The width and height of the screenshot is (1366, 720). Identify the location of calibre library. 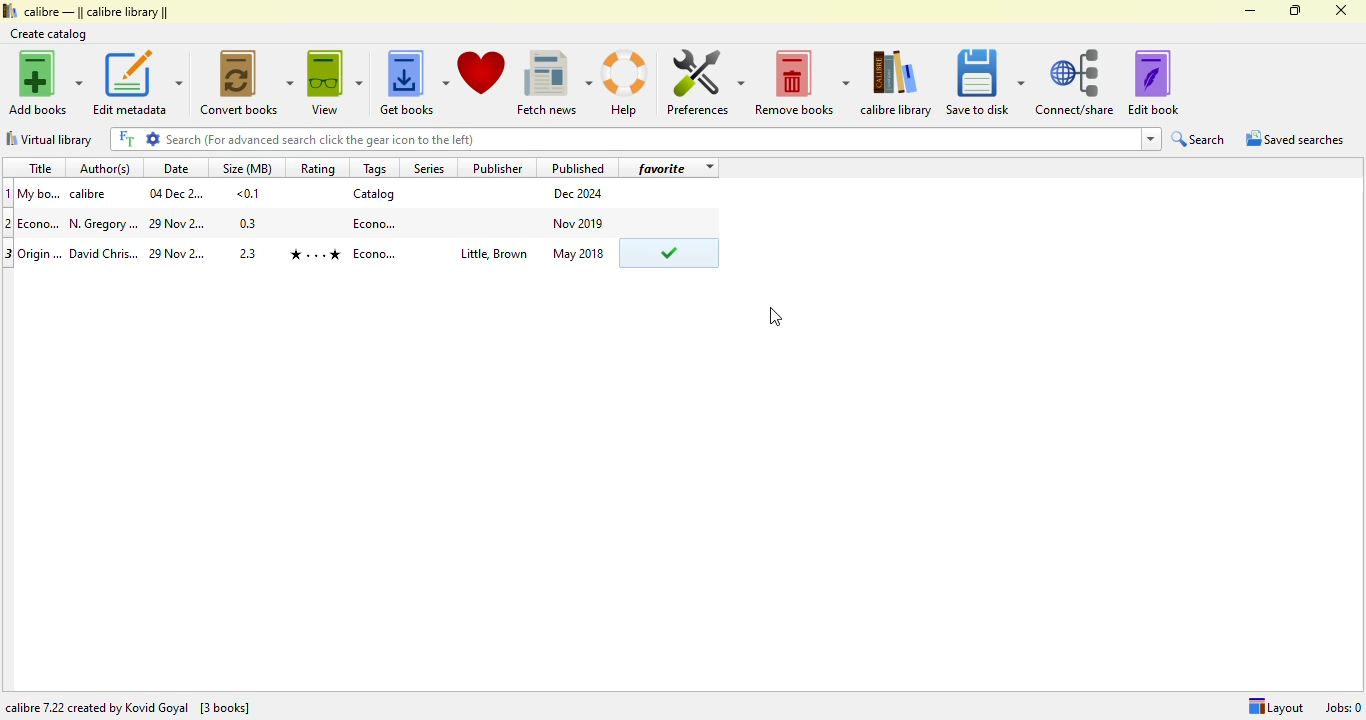
(97, 11).